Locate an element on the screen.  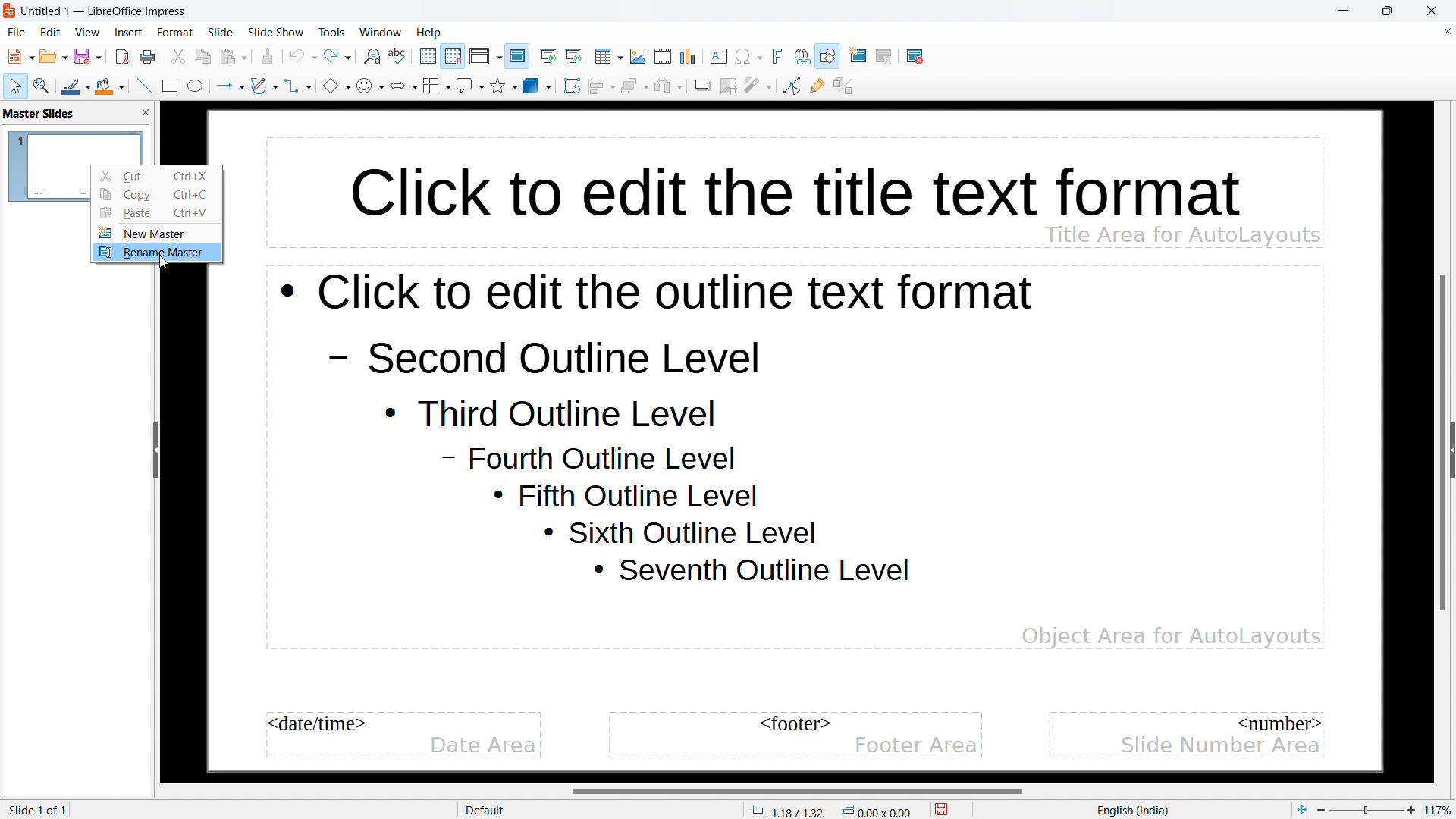
callout shapes is located at coordinates (470, 86).